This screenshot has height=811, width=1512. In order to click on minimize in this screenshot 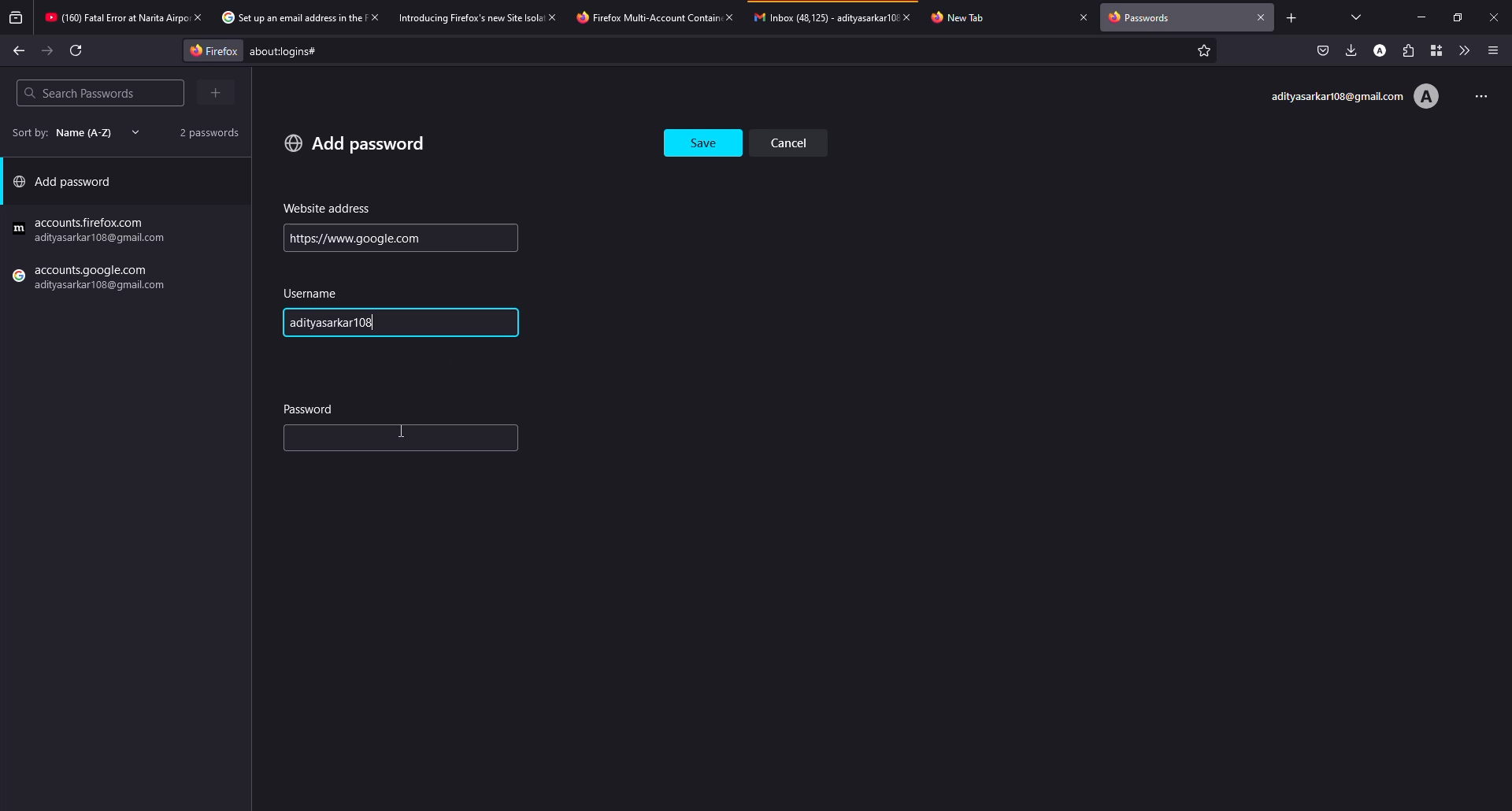, I will do `click(1424, 17)`.